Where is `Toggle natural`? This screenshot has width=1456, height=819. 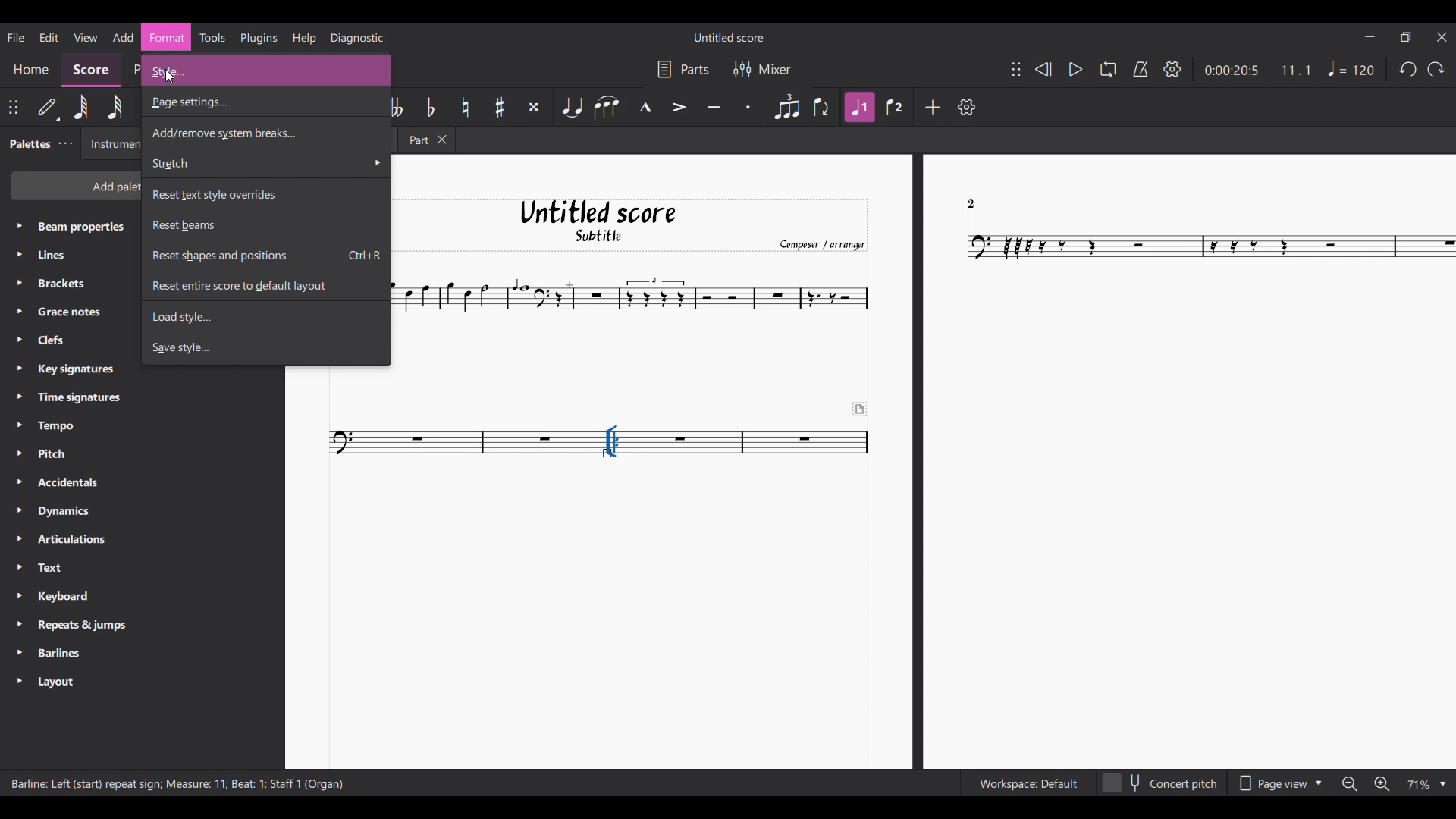 Toggle natural is located at coordinates (465, 107).